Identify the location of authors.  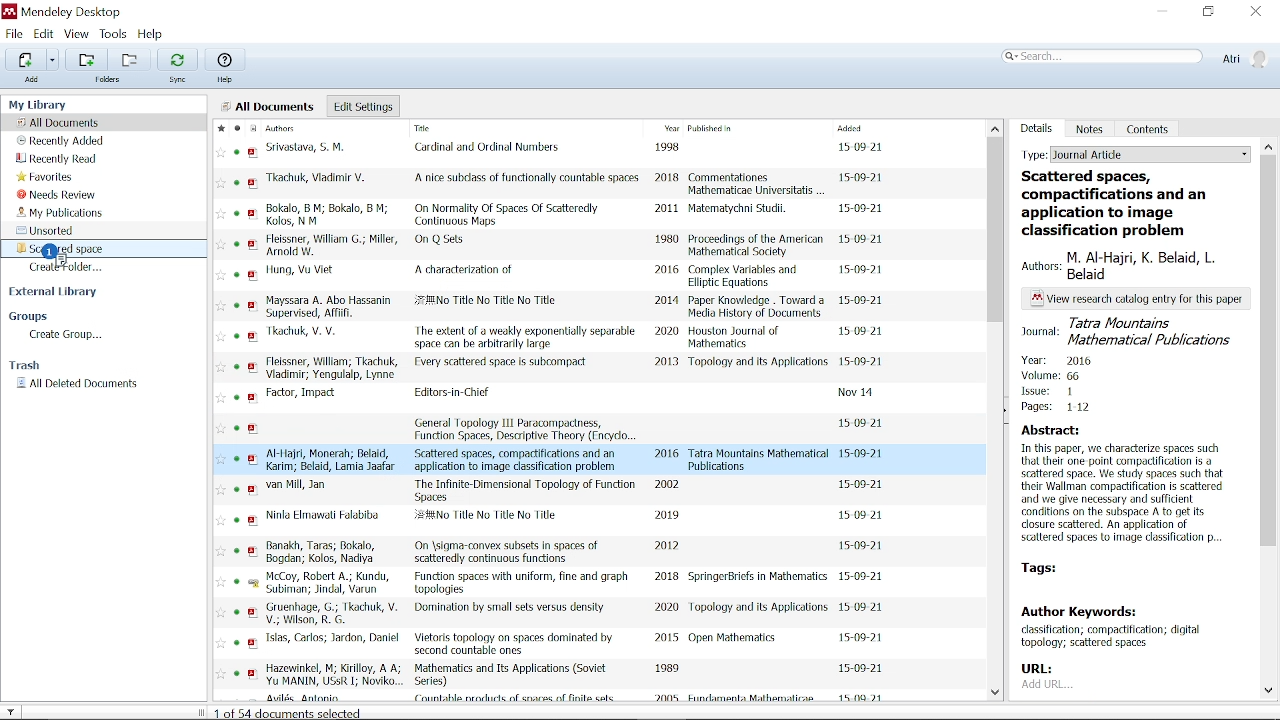
(309, 148).